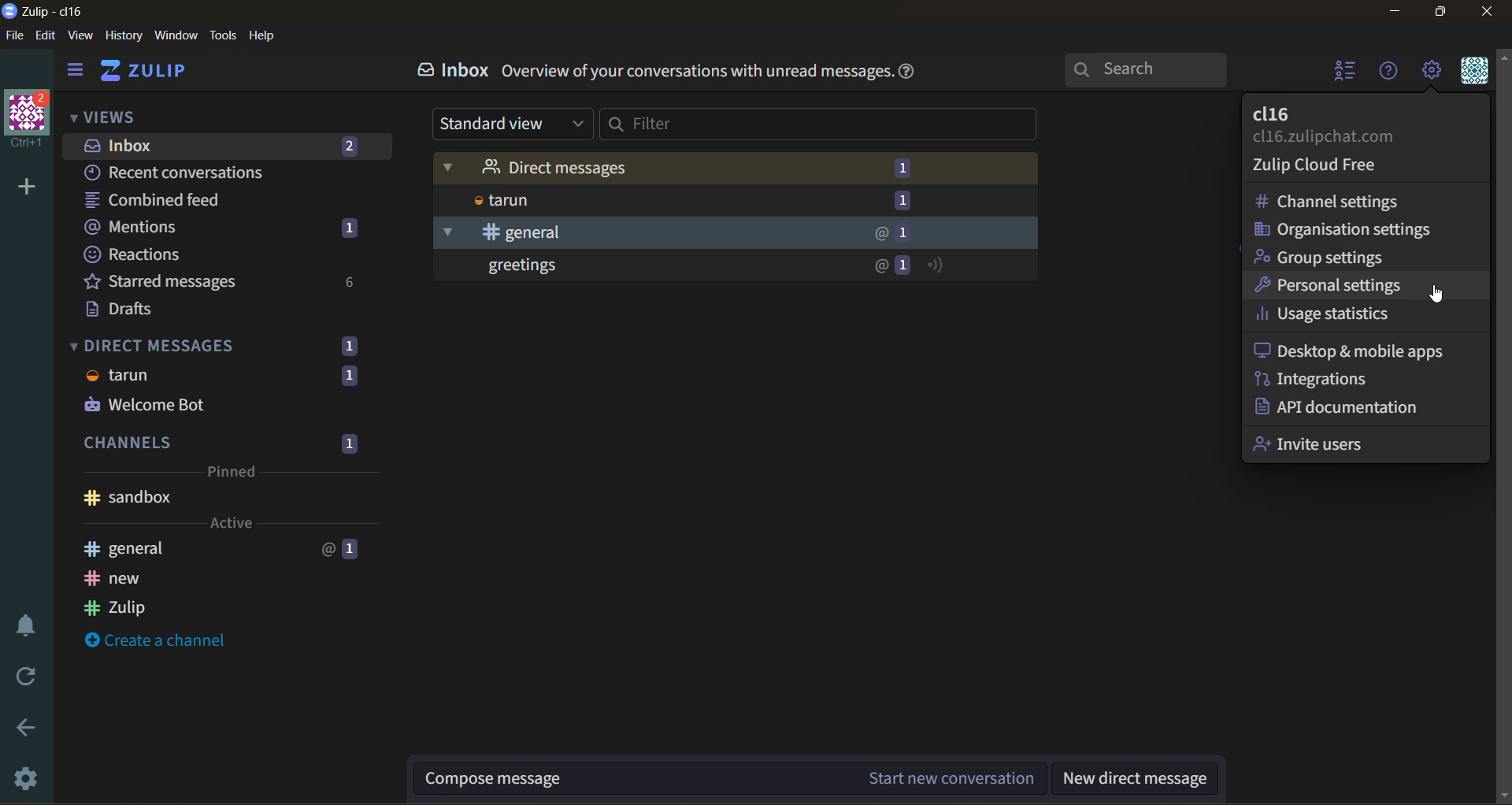 This screenshot has width=1512, height=805. Describe the element at coordinates (1435, 70) in the screenshot. I see `main menu` at that location.